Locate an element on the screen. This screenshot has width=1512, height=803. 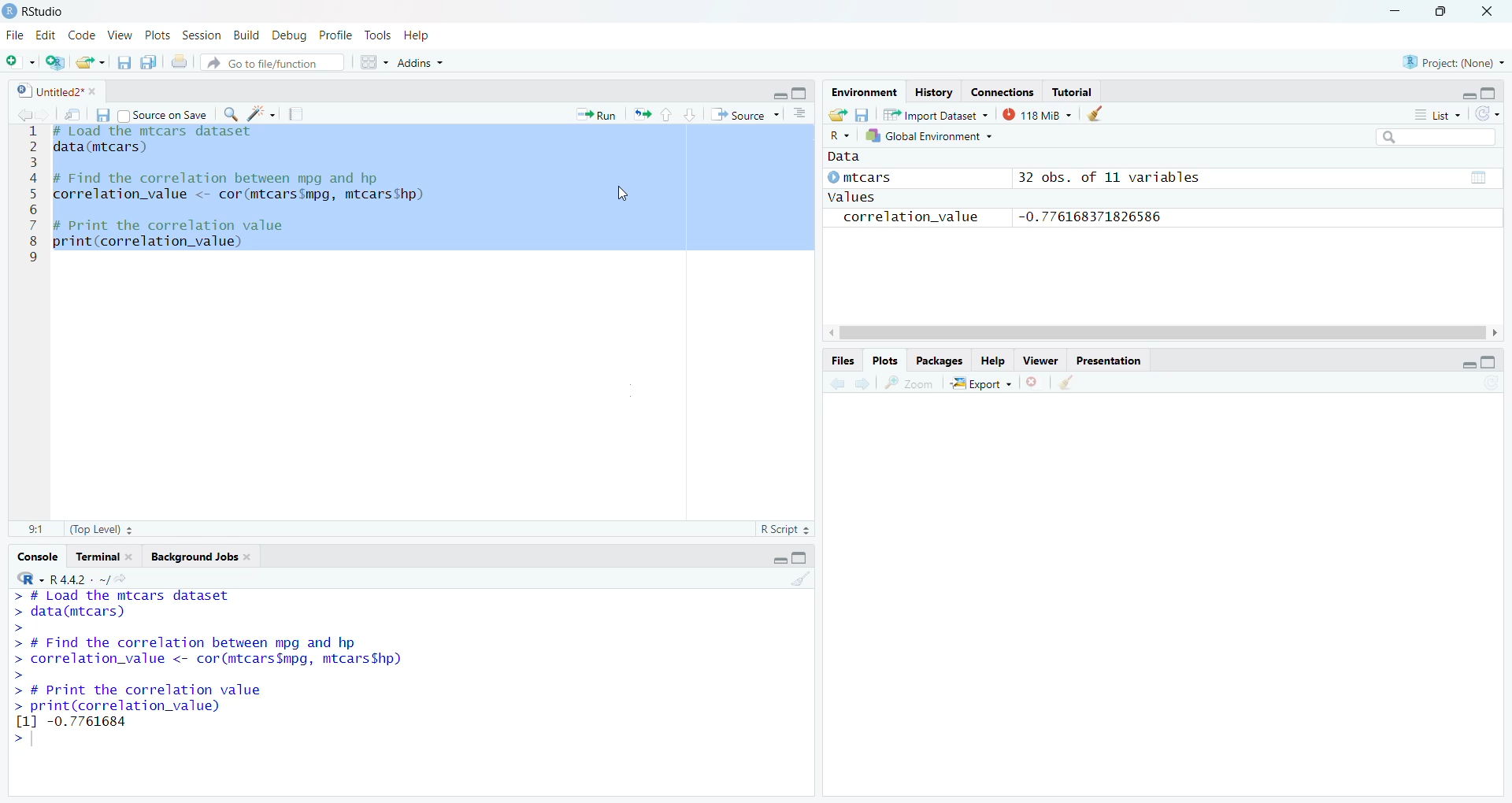
Zoom is located at coordinates (910, 383).